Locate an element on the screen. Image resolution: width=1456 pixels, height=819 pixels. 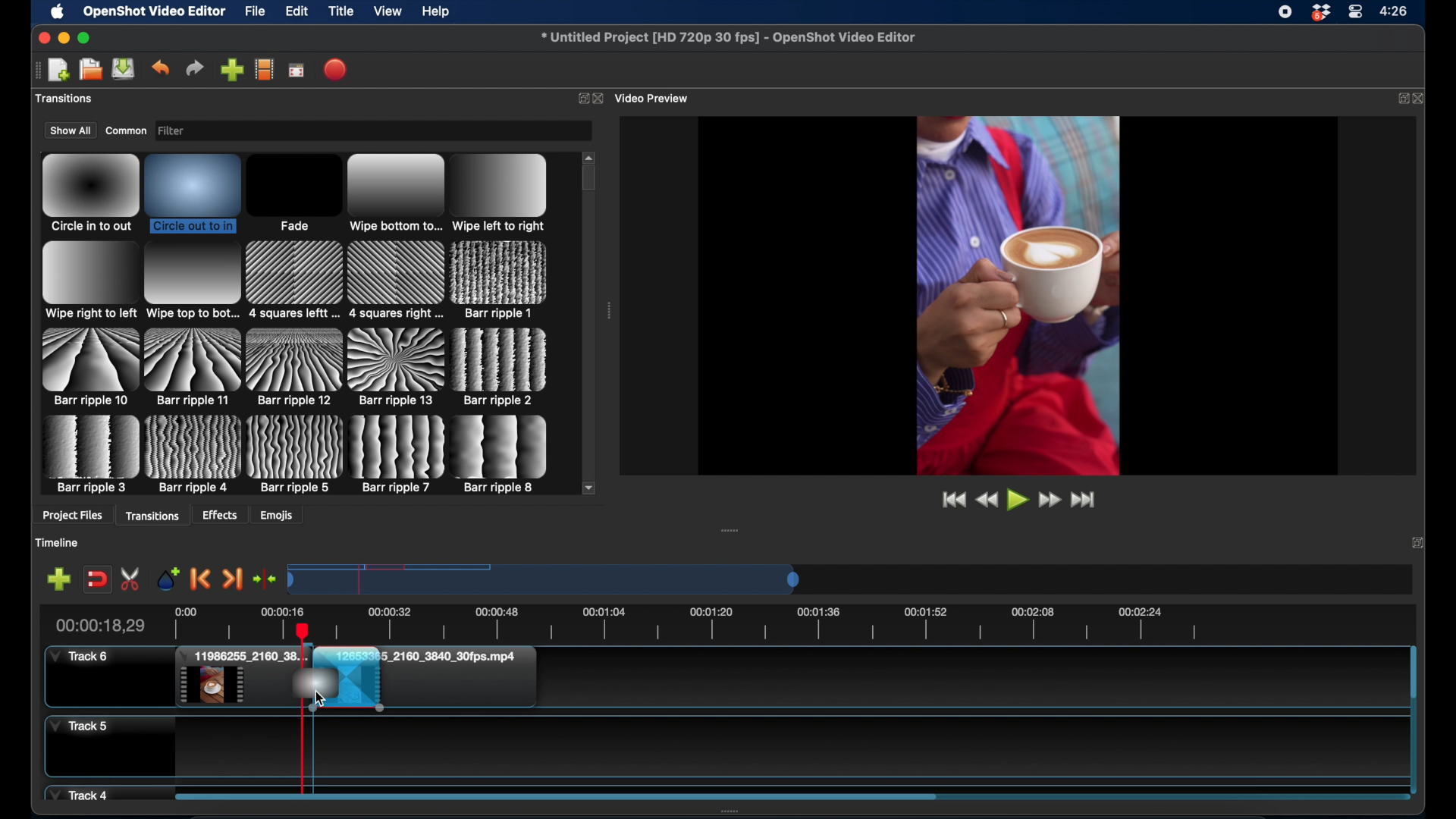
file name is located at coordinates (730, 38).